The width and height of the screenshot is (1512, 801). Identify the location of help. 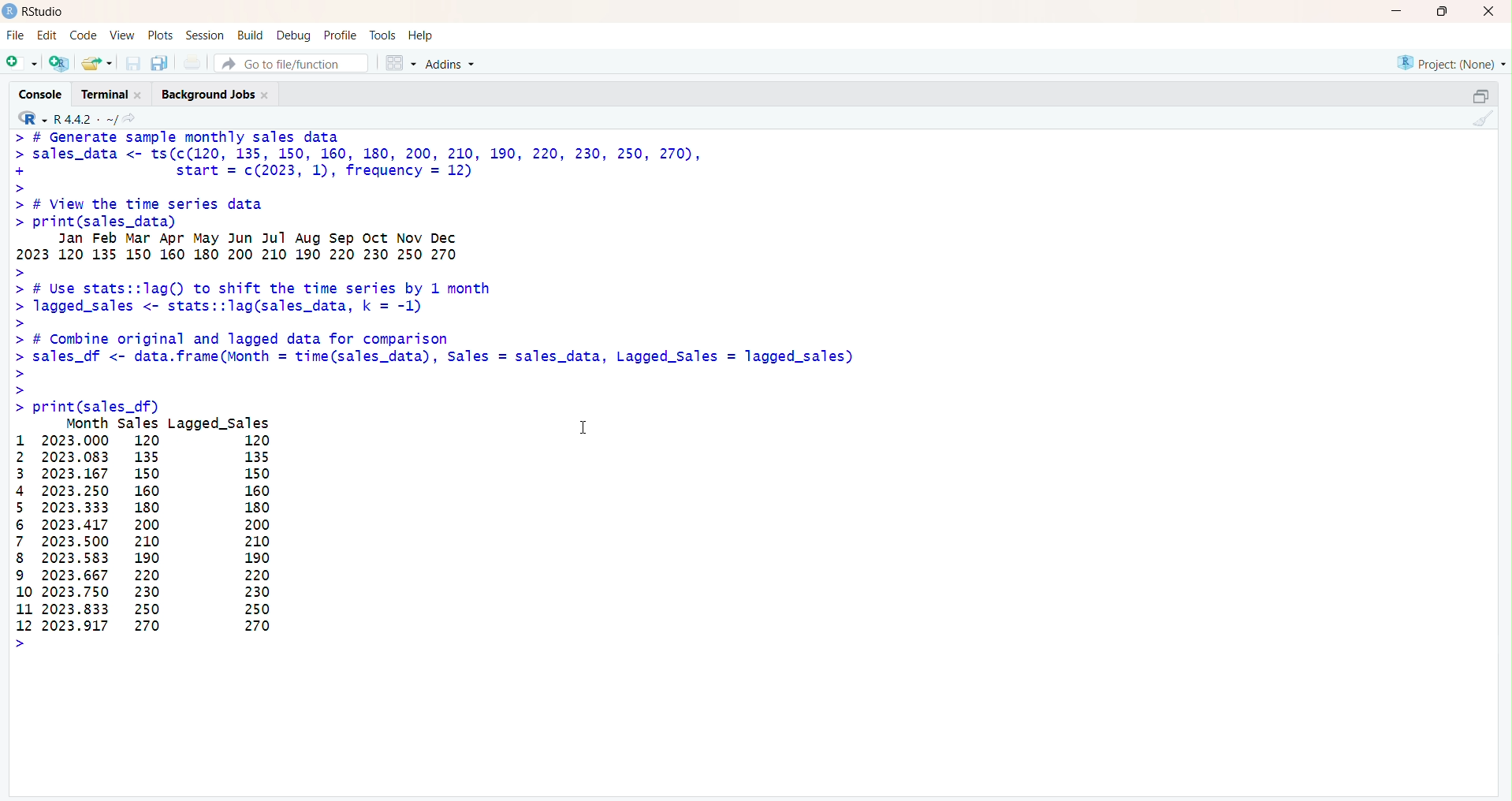
(423, 35).